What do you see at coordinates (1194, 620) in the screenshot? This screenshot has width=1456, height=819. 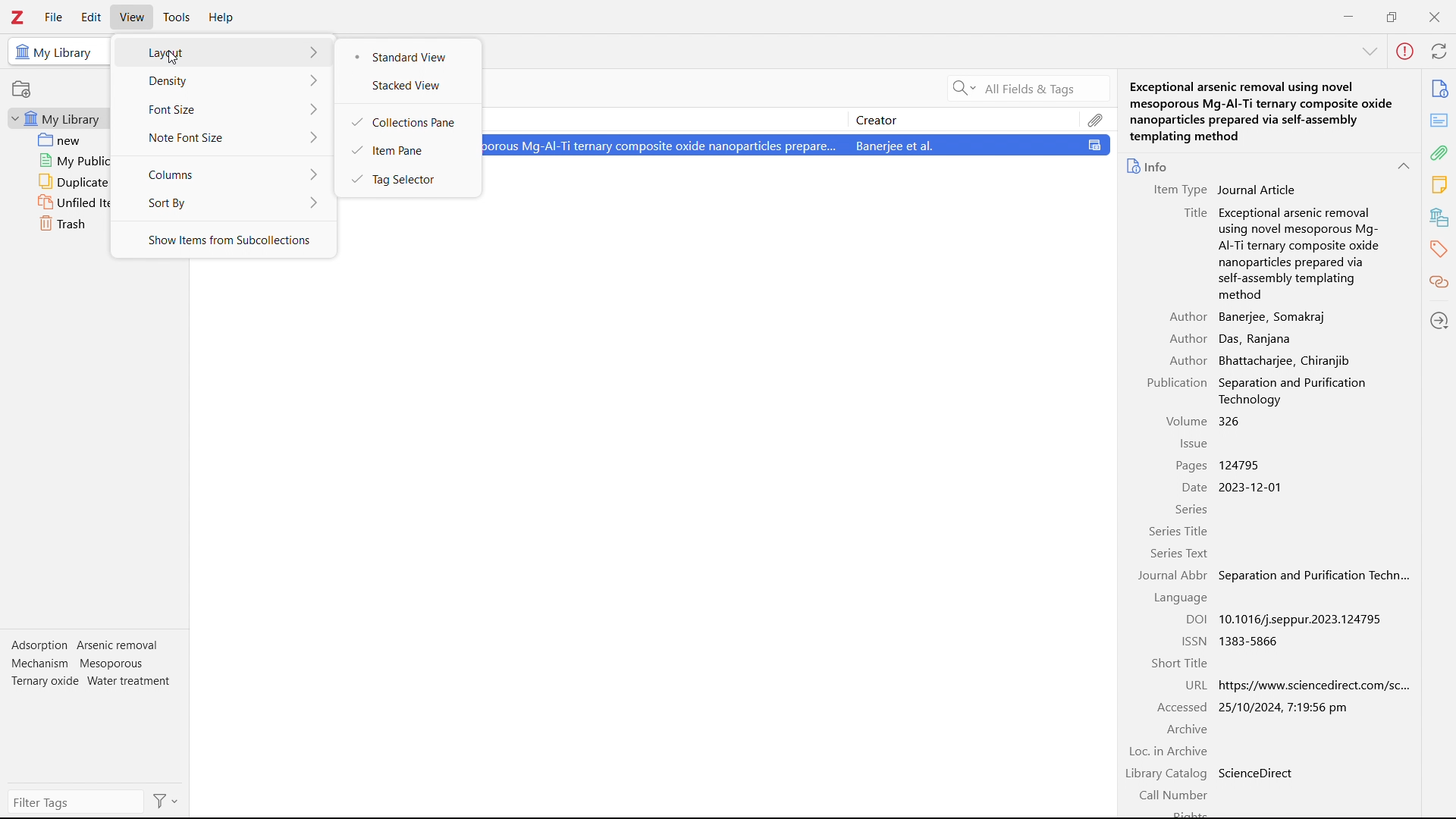 I see `DOI` at bounding box center [1194, 620].